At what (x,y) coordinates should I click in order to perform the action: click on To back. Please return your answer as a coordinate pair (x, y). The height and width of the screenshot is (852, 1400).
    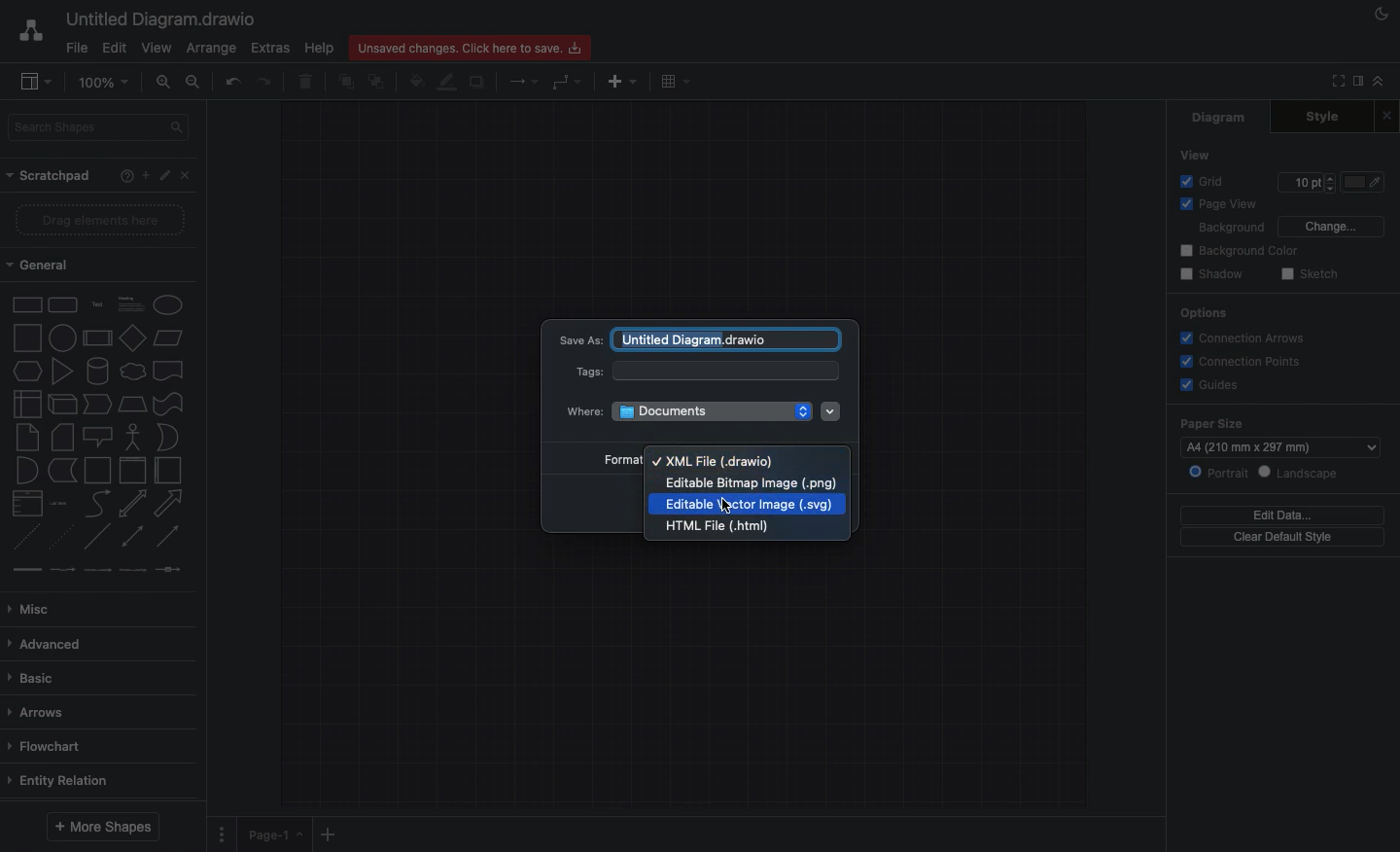
    Looking at the image, I should click on (379, 84).